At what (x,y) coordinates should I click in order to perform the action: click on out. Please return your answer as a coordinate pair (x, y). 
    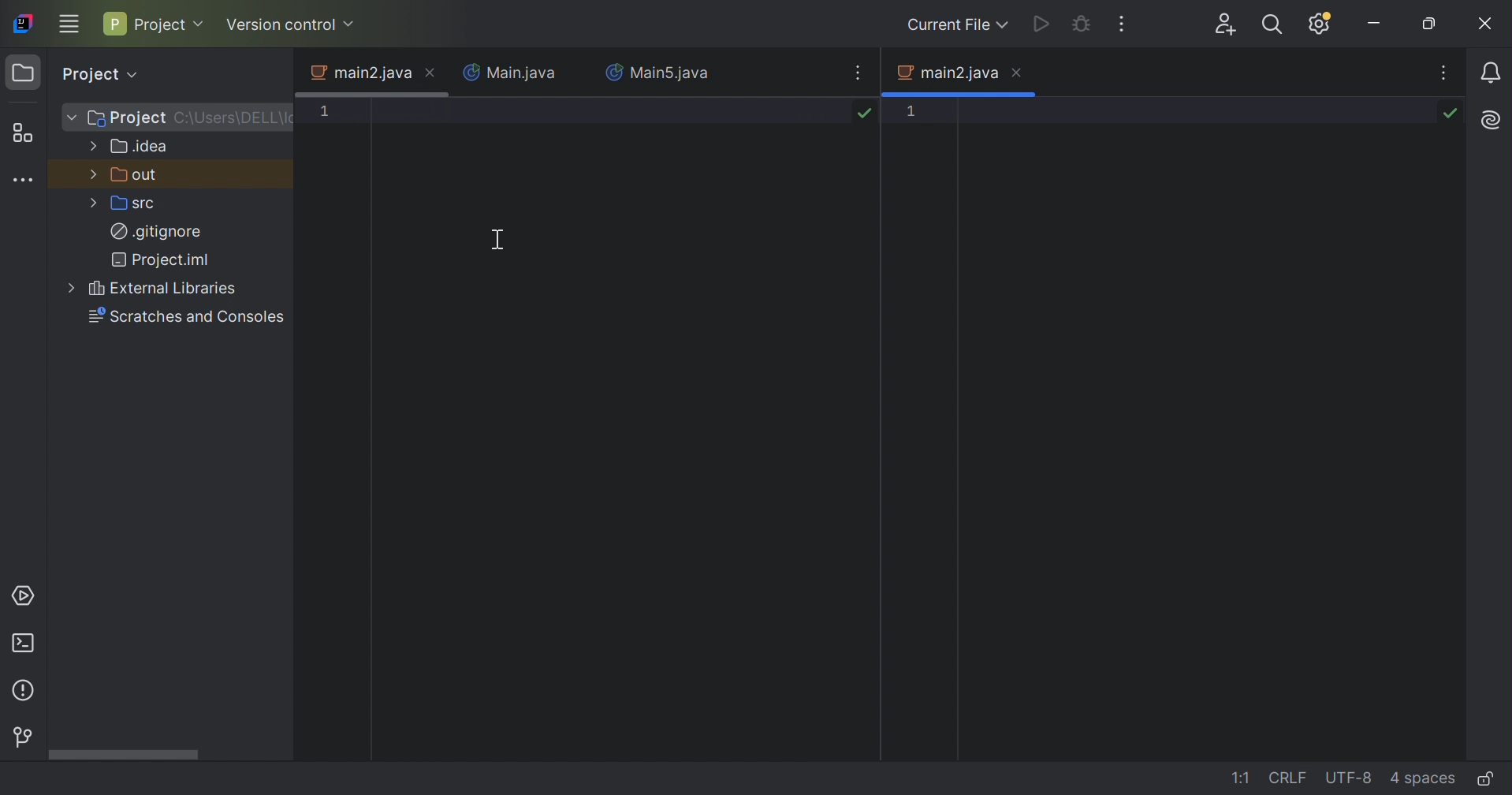
    Looking at the image, I should click on (137, 175).